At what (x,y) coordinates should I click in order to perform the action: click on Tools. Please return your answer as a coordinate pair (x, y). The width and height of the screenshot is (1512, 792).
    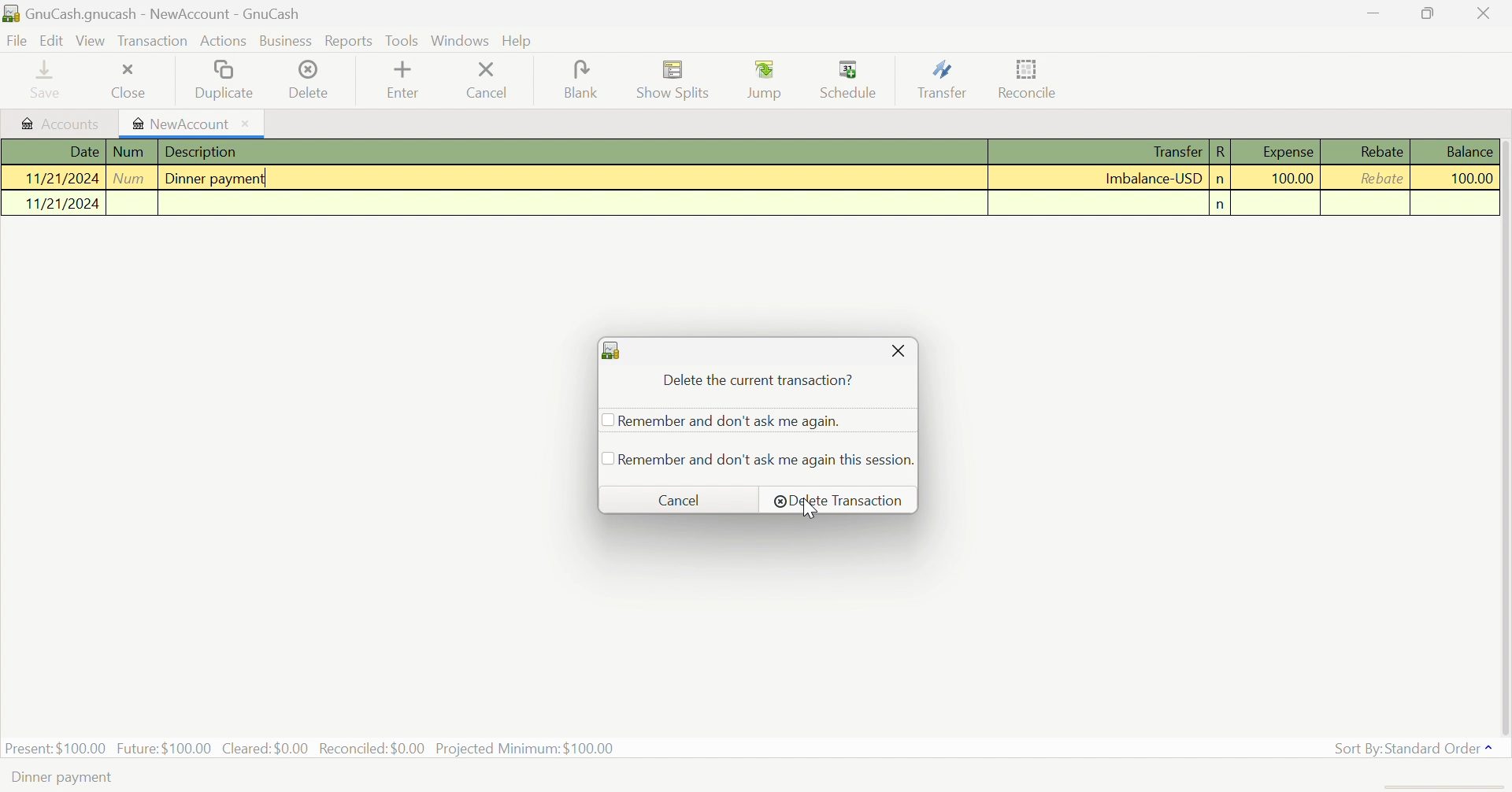
    Looking at the image, I should click on (403, 39).